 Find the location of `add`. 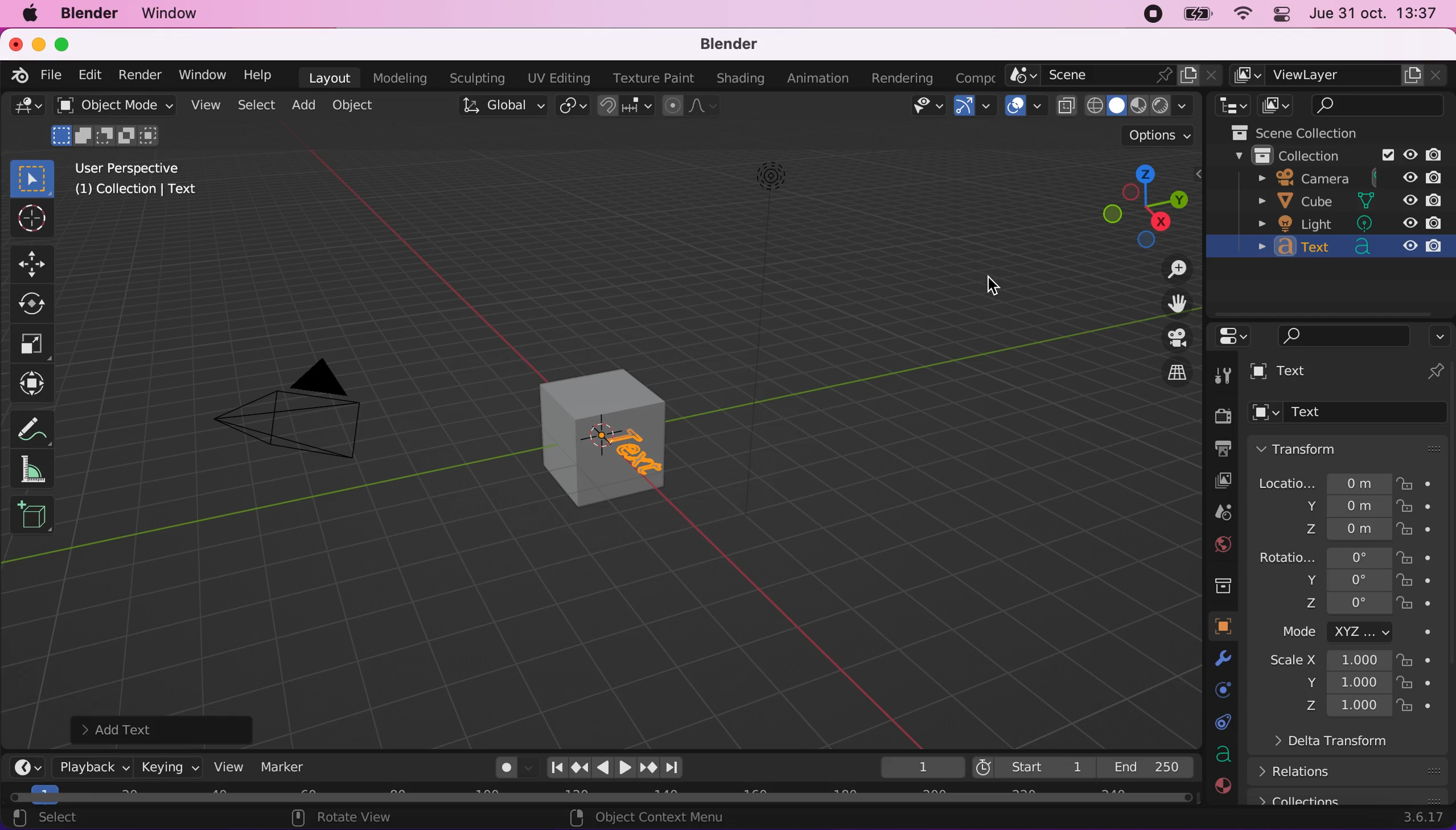

add is located at coordinates (301, 107).